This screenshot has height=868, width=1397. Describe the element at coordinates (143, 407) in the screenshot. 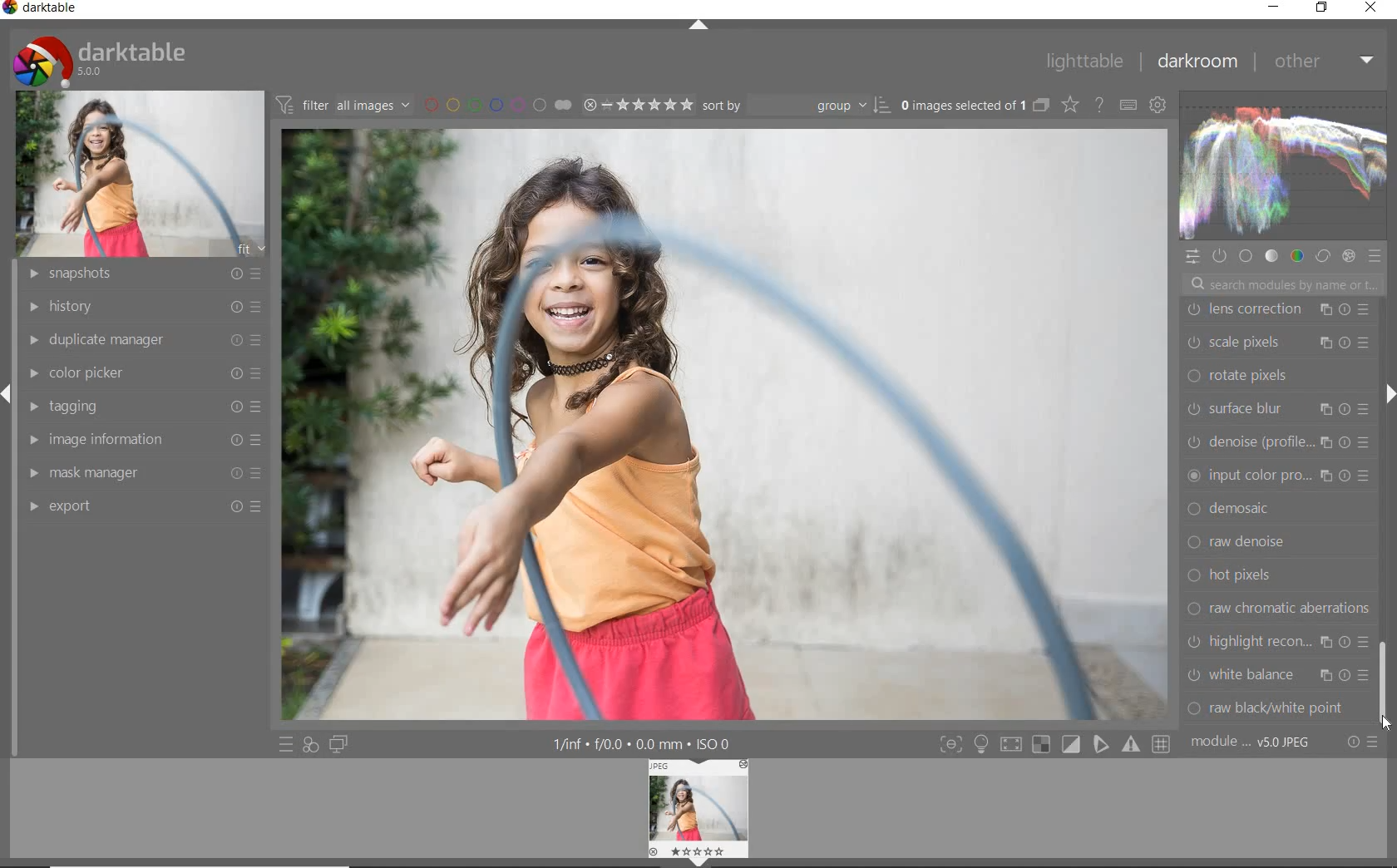

I see `tagging` at that location.